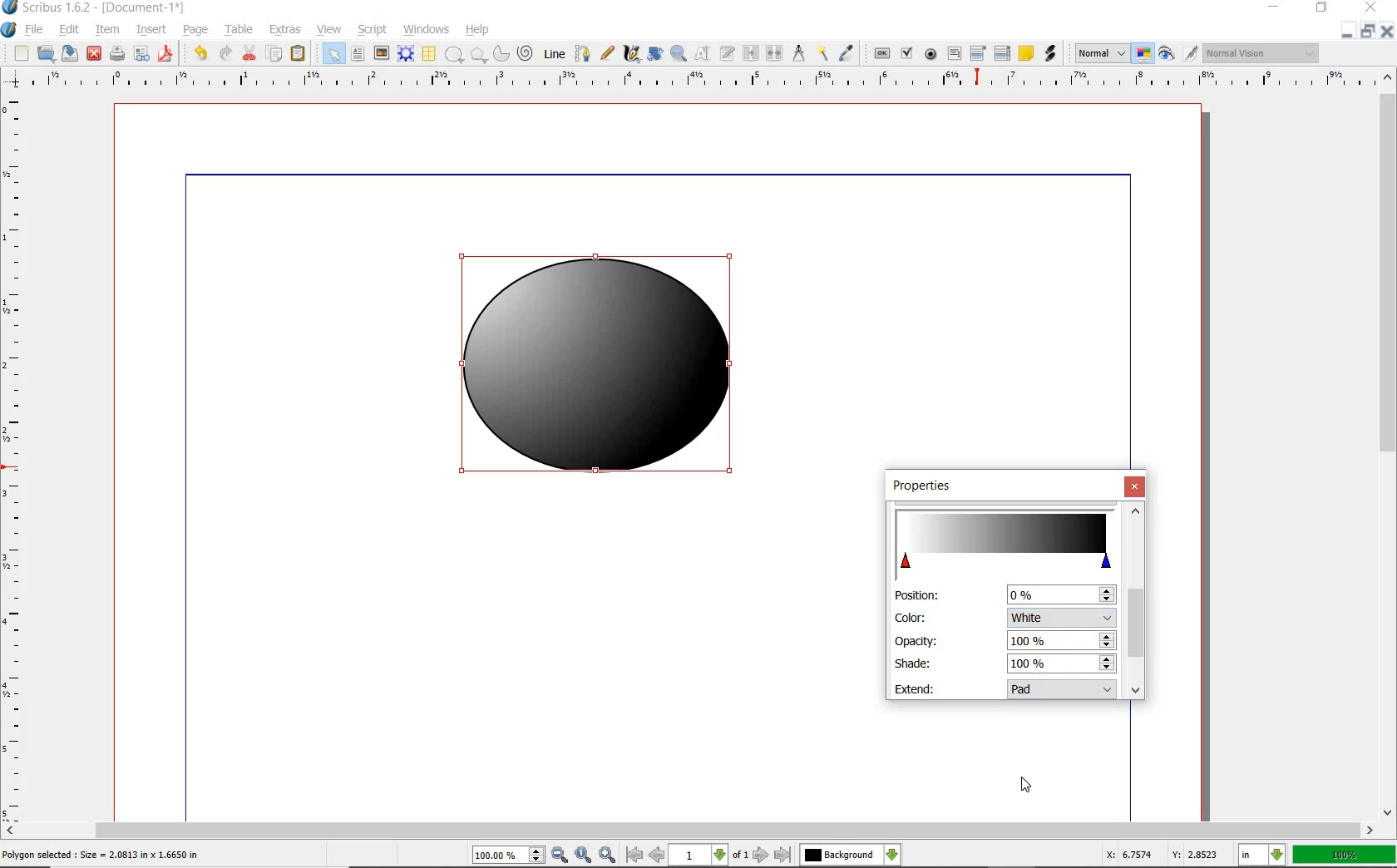 The height and width of the screenshot is (868, 1397). I want to click on opacity, so click(918, 640).